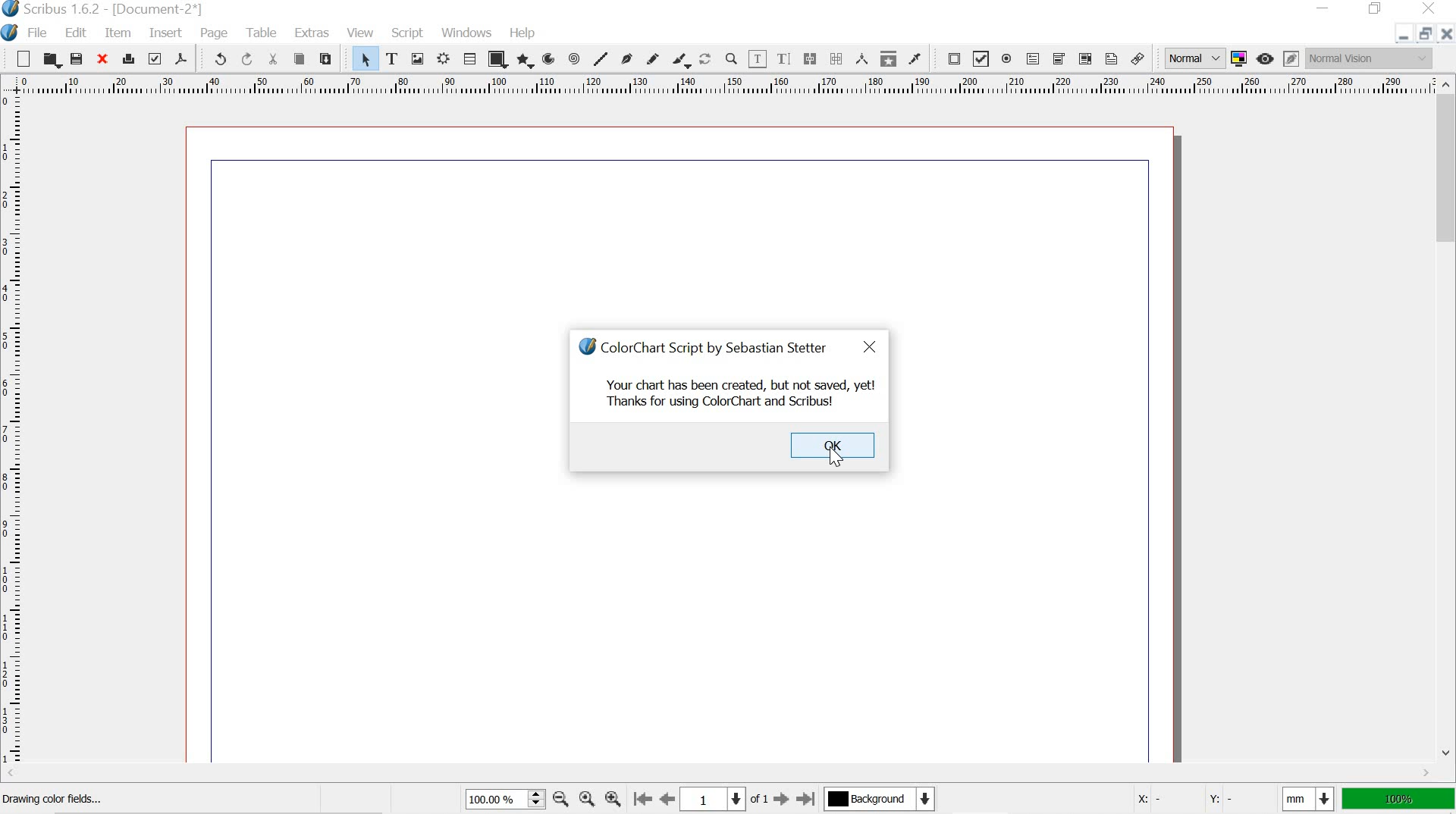 This screenshot has height=814, width=1456. What do you see at coordinates (780, 800) in the screenshot?
I see `Next page` at bounding box center [780, 800].